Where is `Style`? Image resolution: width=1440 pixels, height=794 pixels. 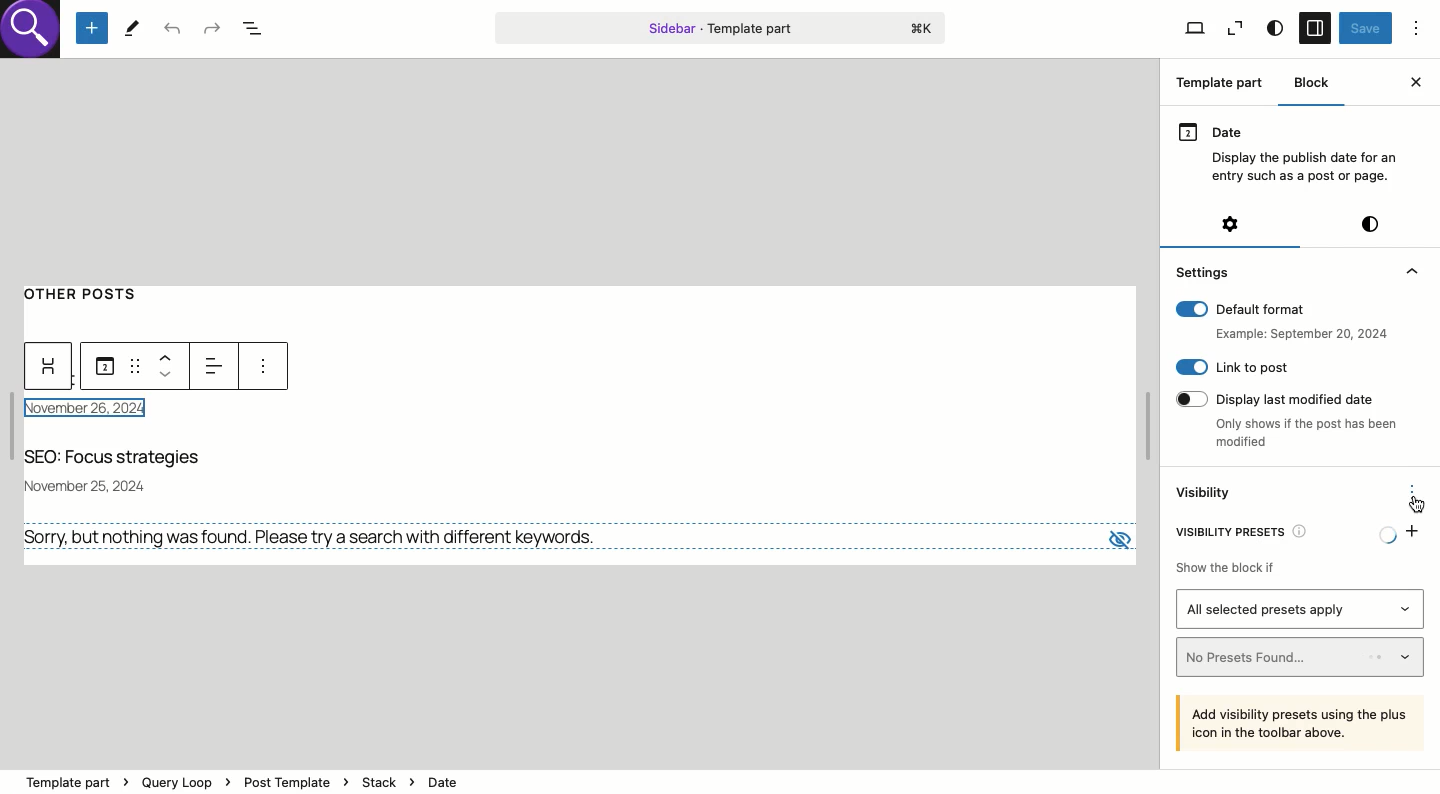 Style is located at coordinates (1370, 224).